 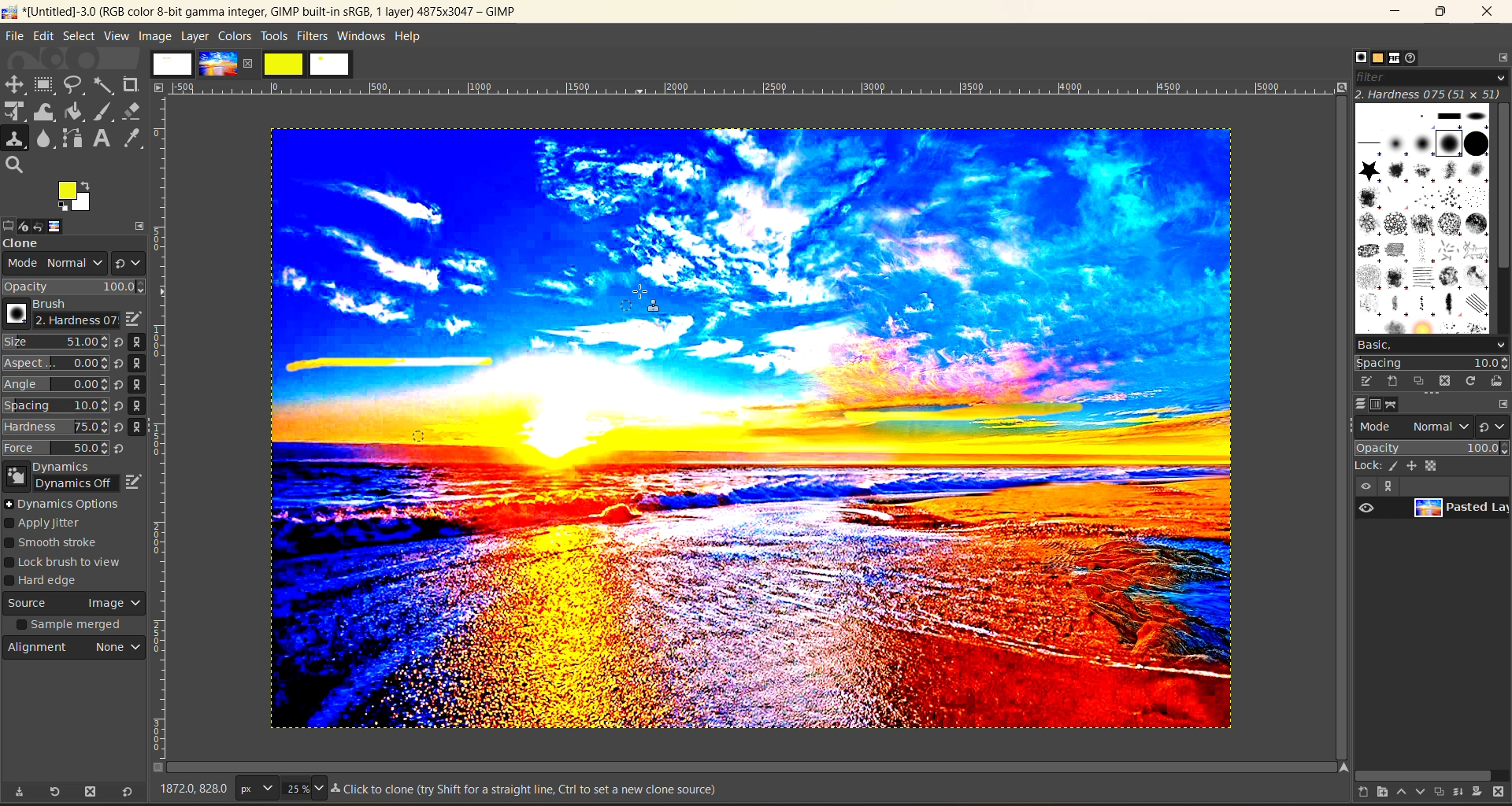 I want to click on color picker tool, so click(x=135, y=138).